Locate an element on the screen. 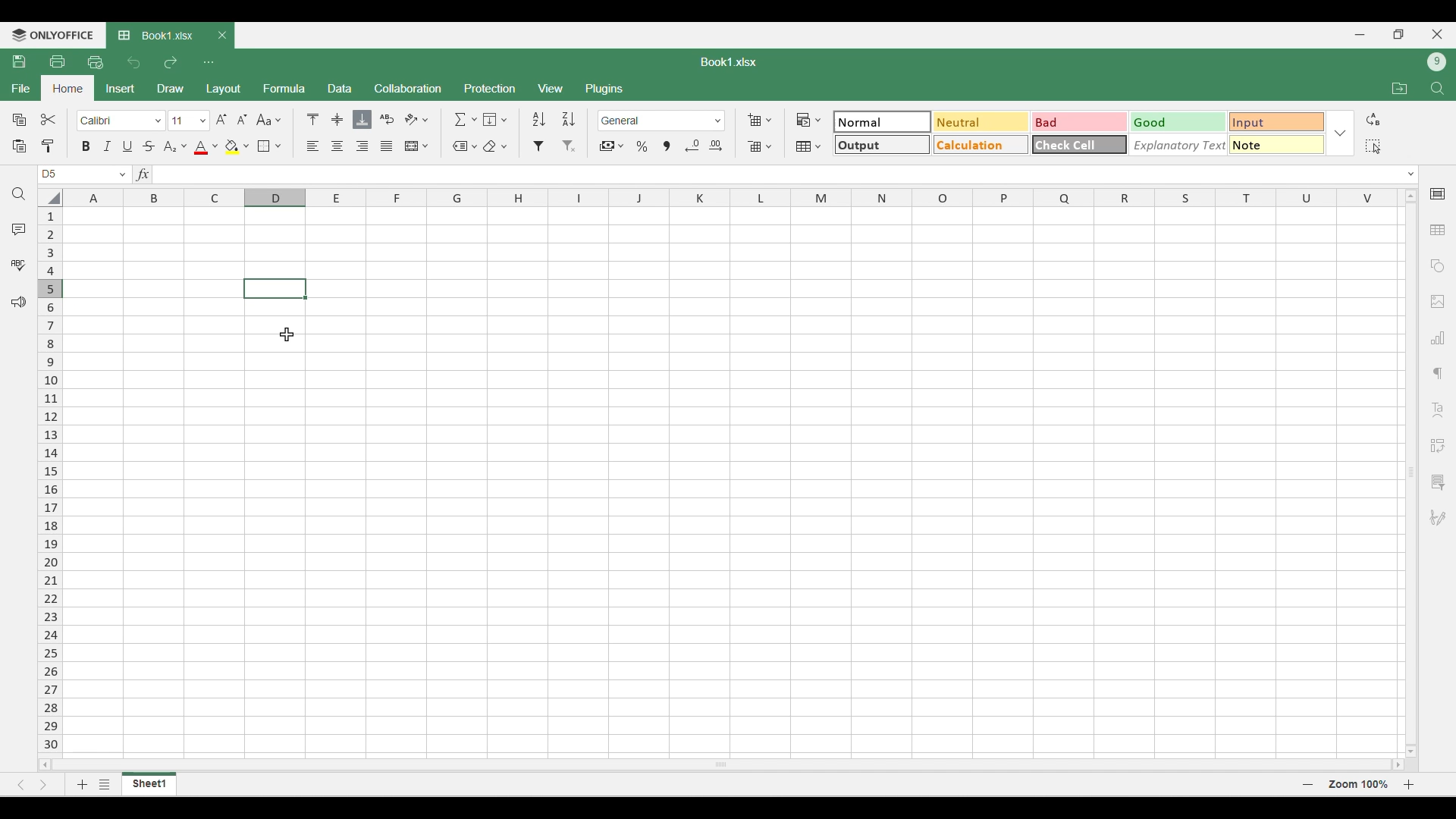 This screenshot has height=819, width=1456. Subscript is located at coordinates (174, 147).